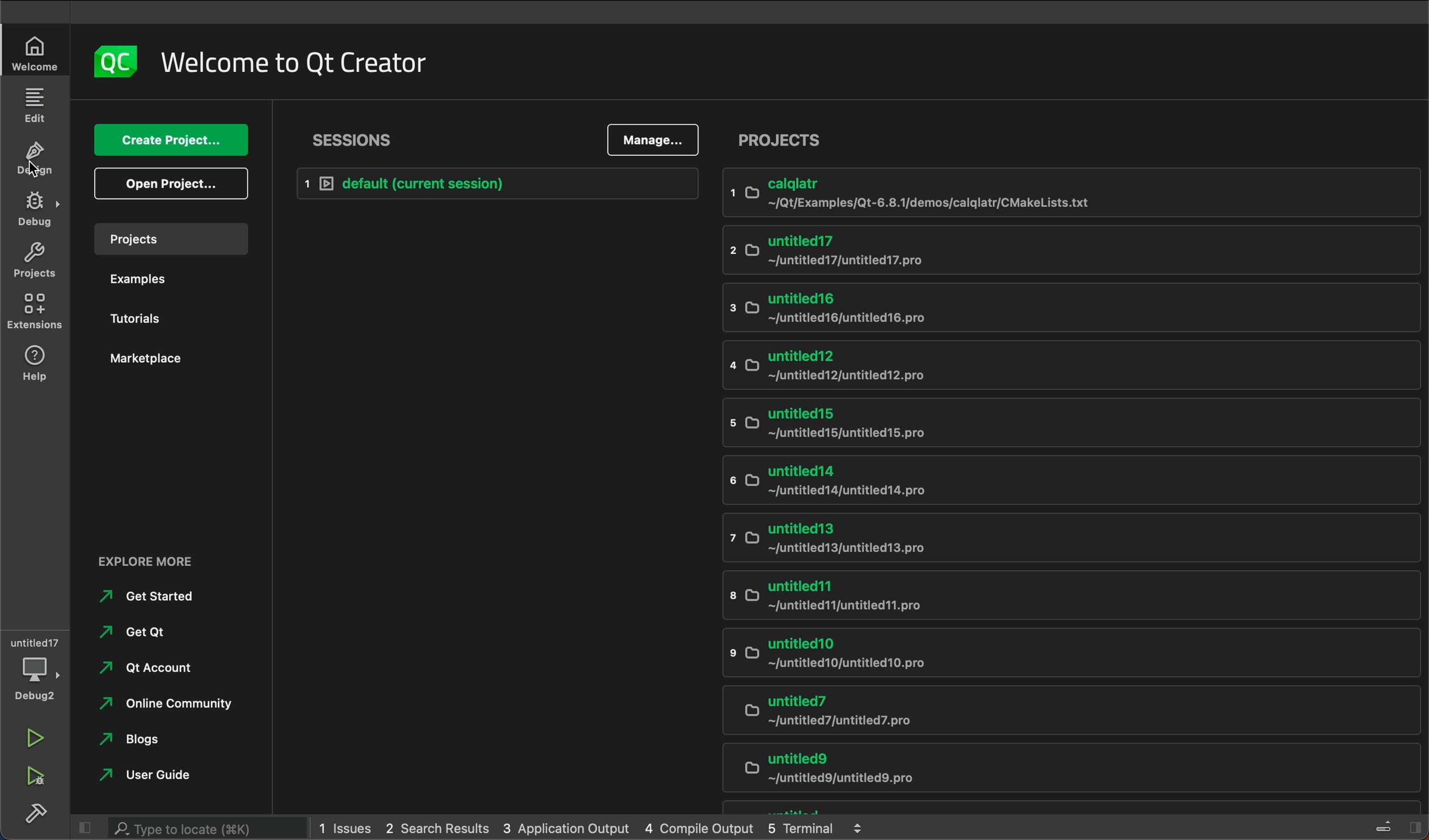 The height and width of the screenshot is (840, 1429). Describe the element at coordinates (171, 241) in the screenshot. I see `projects` at that location.